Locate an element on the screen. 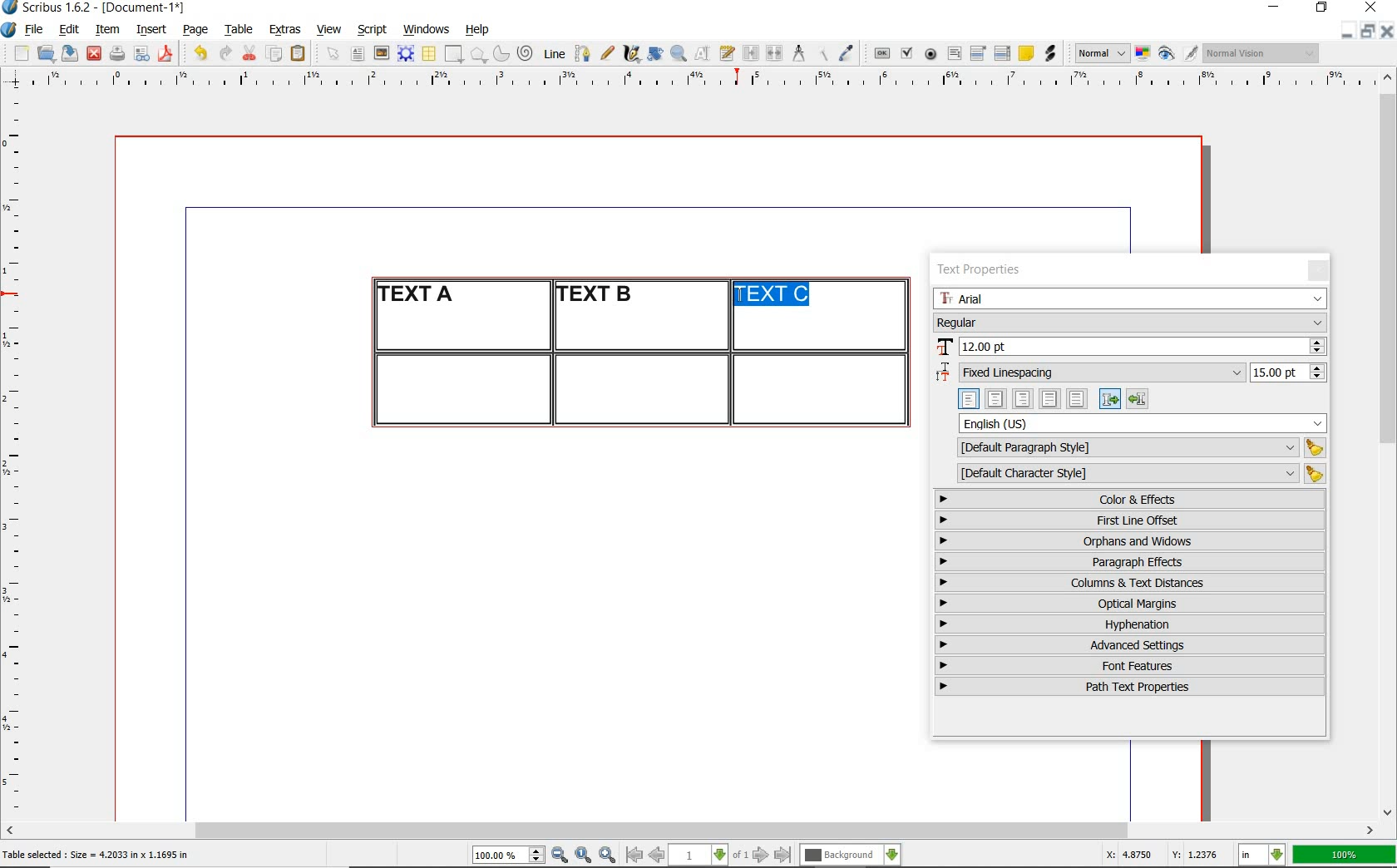 The height and width of the screenshot is (868, 1397). save as pdf is located at coordinates (168, 53).